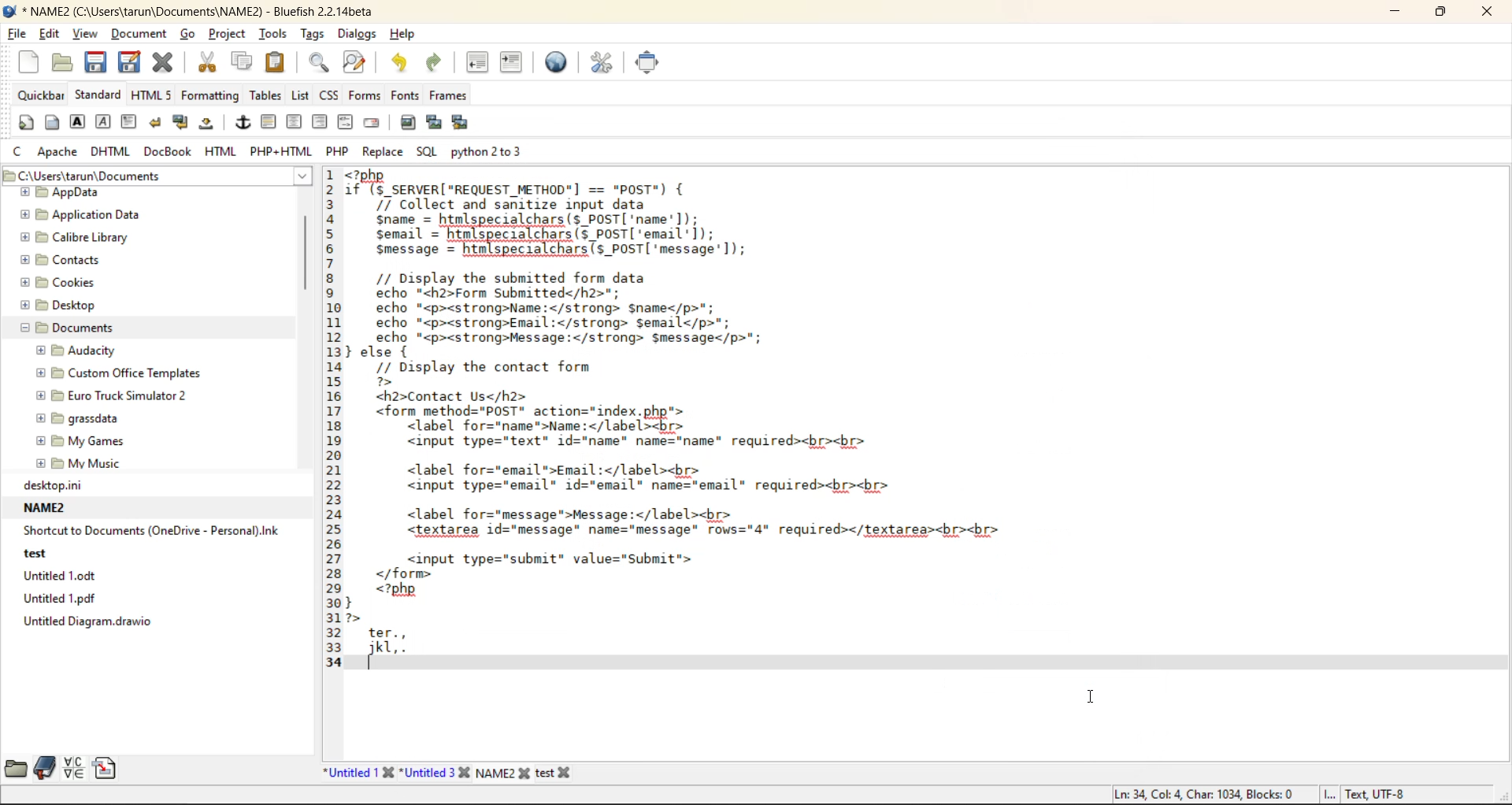 The image size is (1512, 805). What do you see at coordinates (382, 153) in the screenshot?
I see `replace` at bounding box center [382, 153].